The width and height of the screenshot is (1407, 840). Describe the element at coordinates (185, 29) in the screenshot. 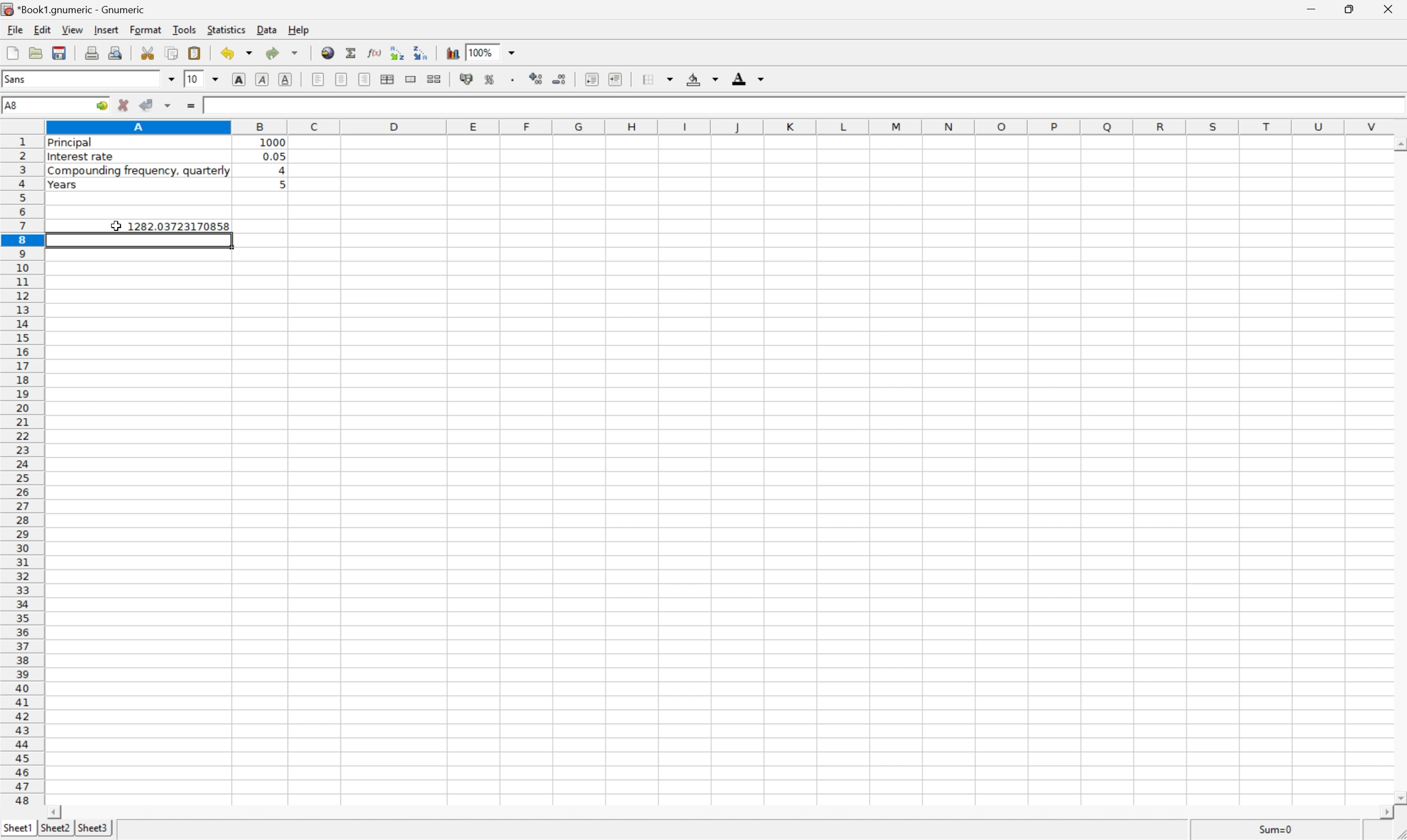

I see `tools` at that location.